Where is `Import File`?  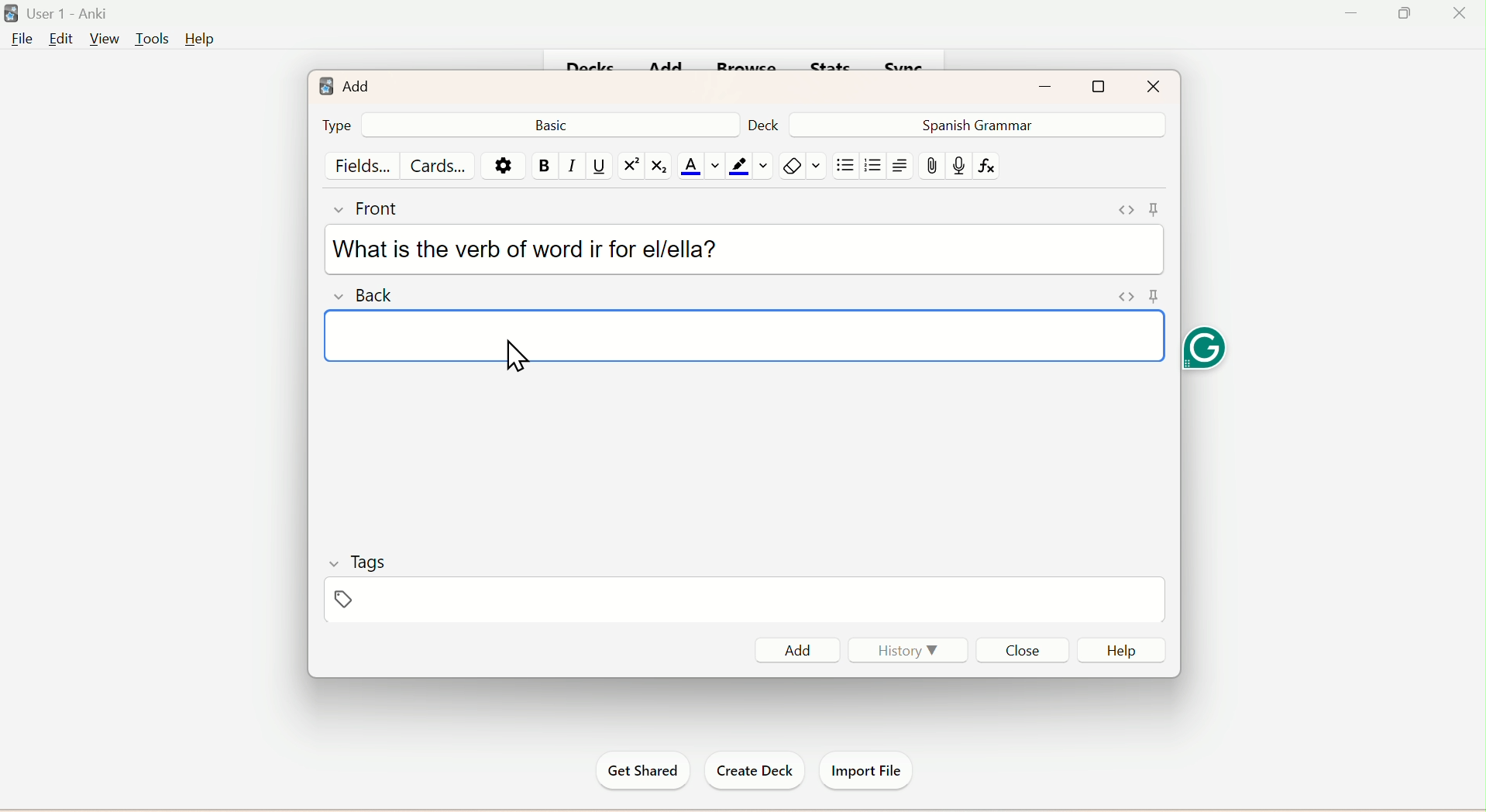 Import File is located at coordinates (865, 769).